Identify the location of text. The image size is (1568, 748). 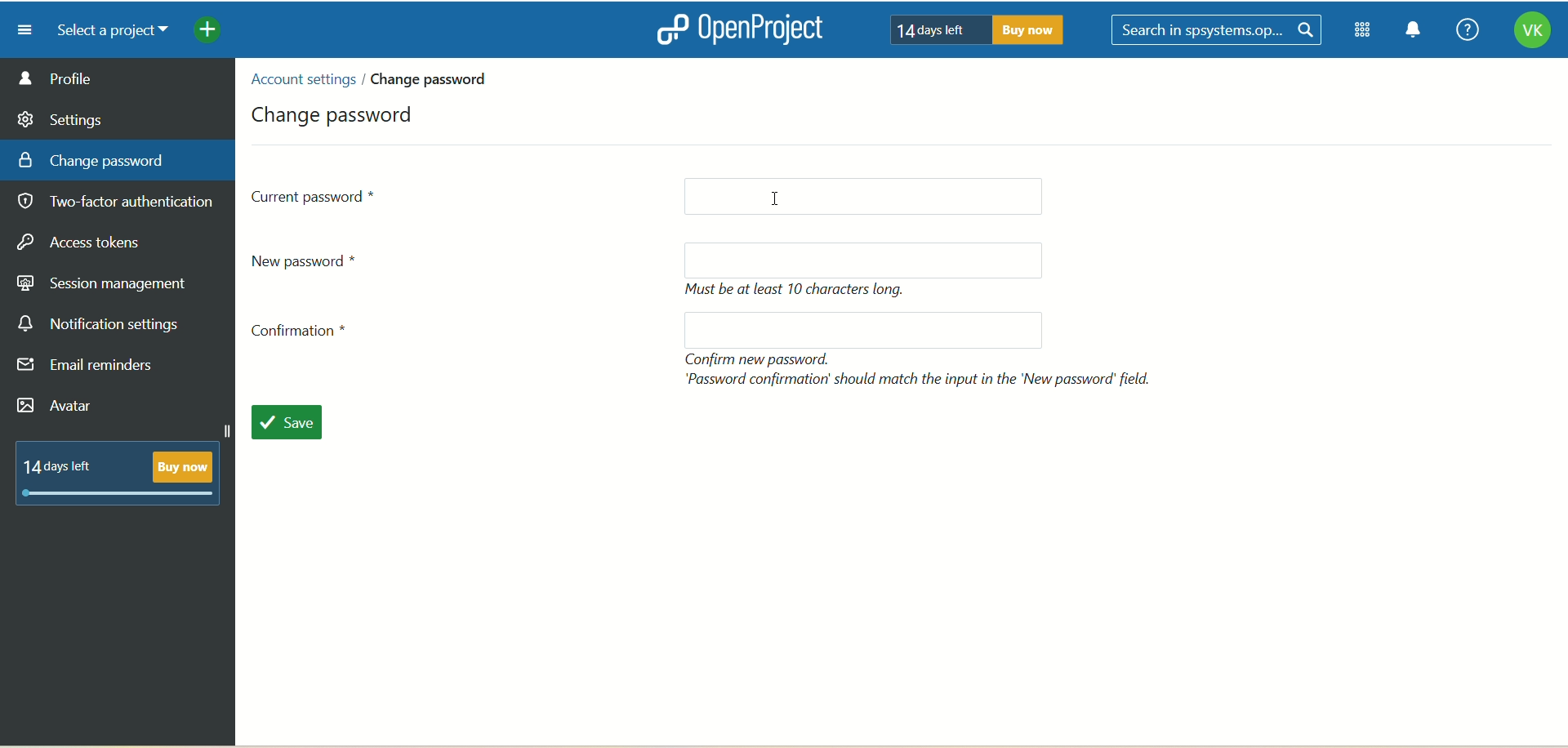
(971, 29).